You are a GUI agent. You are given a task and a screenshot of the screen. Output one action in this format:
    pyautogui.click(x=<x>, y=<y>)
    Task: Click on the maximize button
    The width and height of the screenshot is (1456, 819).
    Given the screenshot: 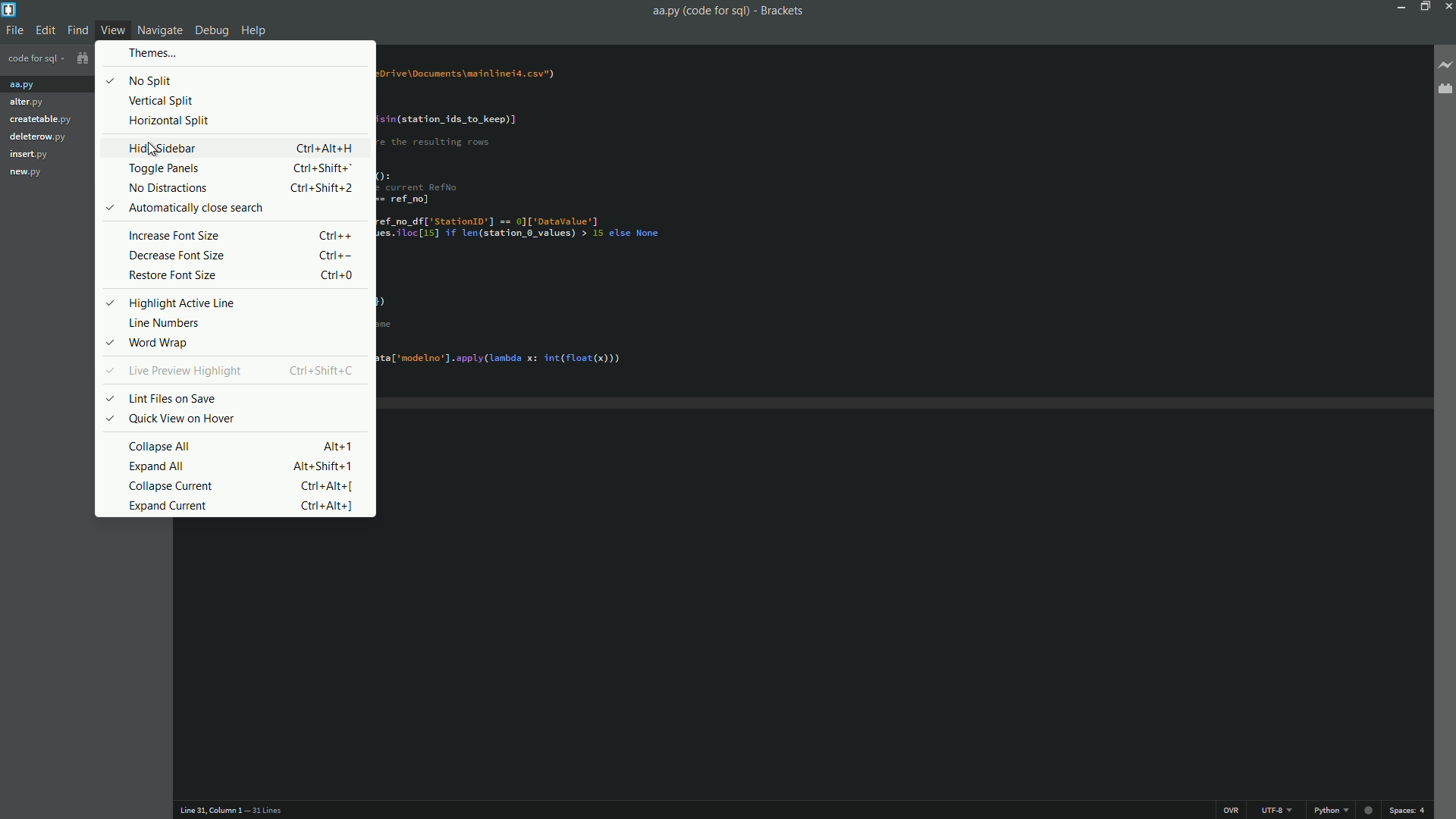 What is the action you would take?
    pyautogui.click(x=1422, y=8)
    